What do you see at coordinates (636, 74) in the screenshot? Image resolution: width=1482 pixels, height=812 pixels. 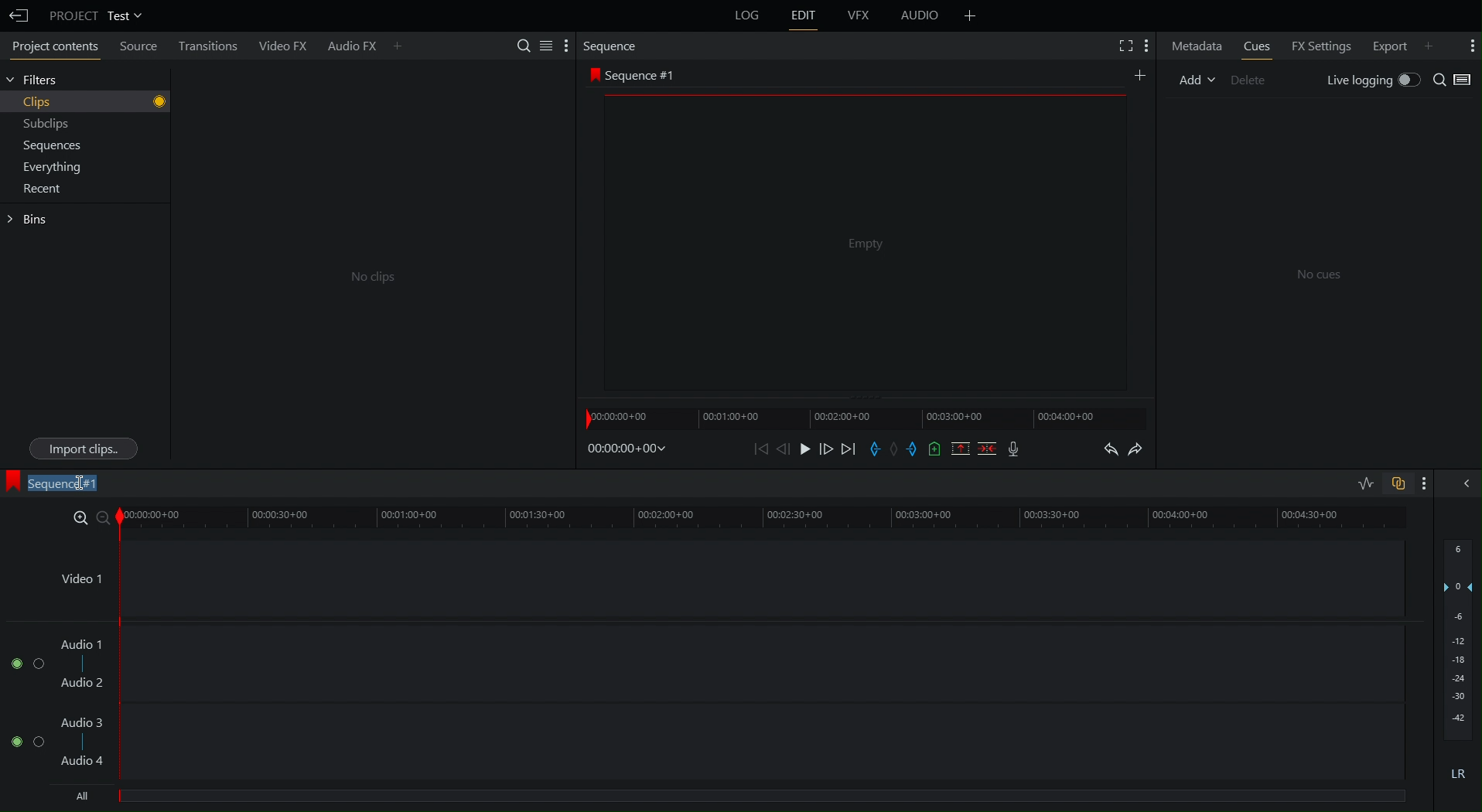 I see `Sequence 1` at bounding box center [636, 74].